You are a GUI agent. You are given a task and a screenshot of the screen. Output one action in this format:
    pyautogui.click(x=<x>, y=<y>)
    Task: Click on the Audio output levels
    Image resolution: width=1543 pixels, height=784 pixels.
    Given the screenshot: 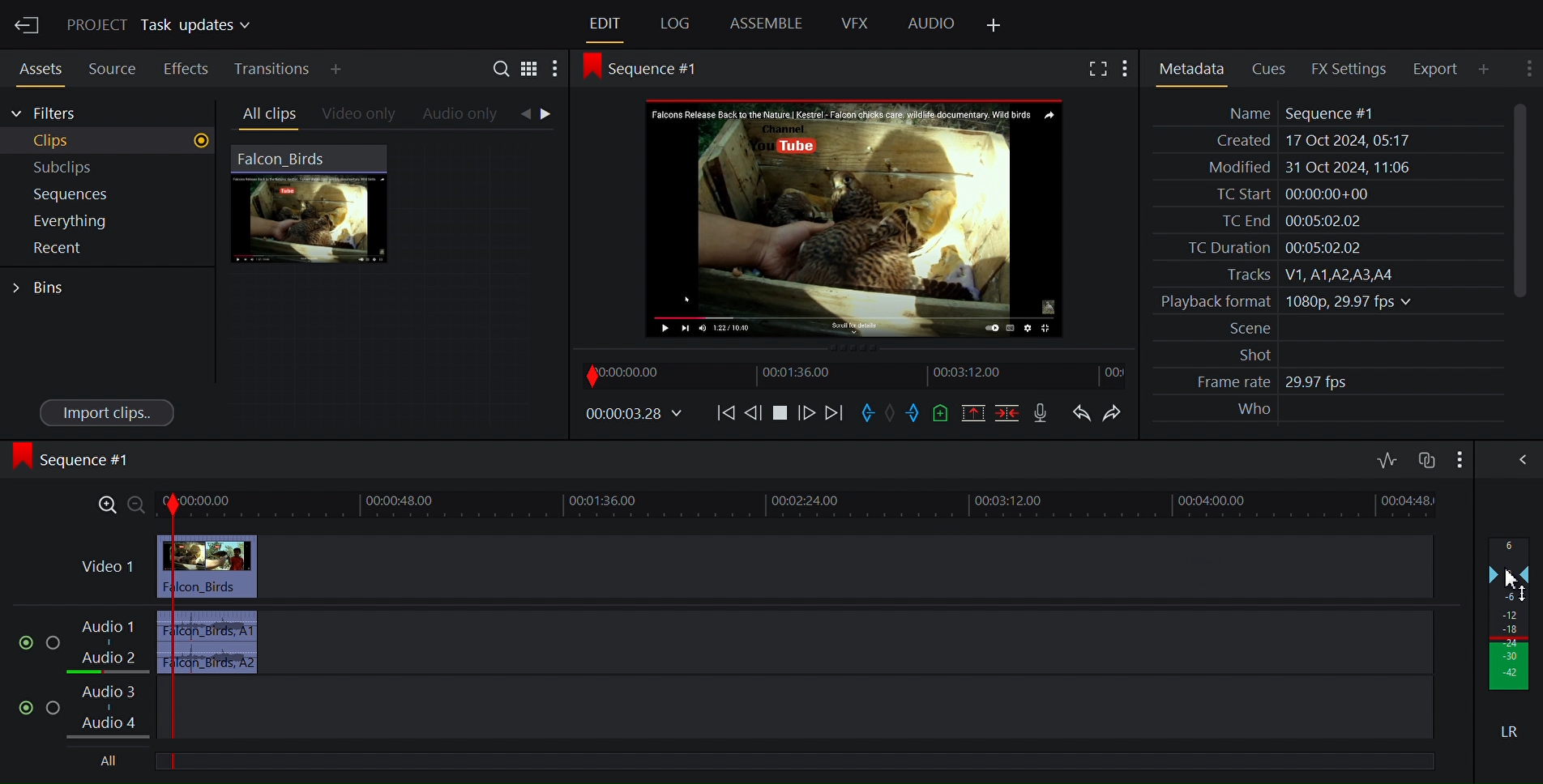 What is the action you would take?
    pyautogui.click(x=1510, y=615)
    